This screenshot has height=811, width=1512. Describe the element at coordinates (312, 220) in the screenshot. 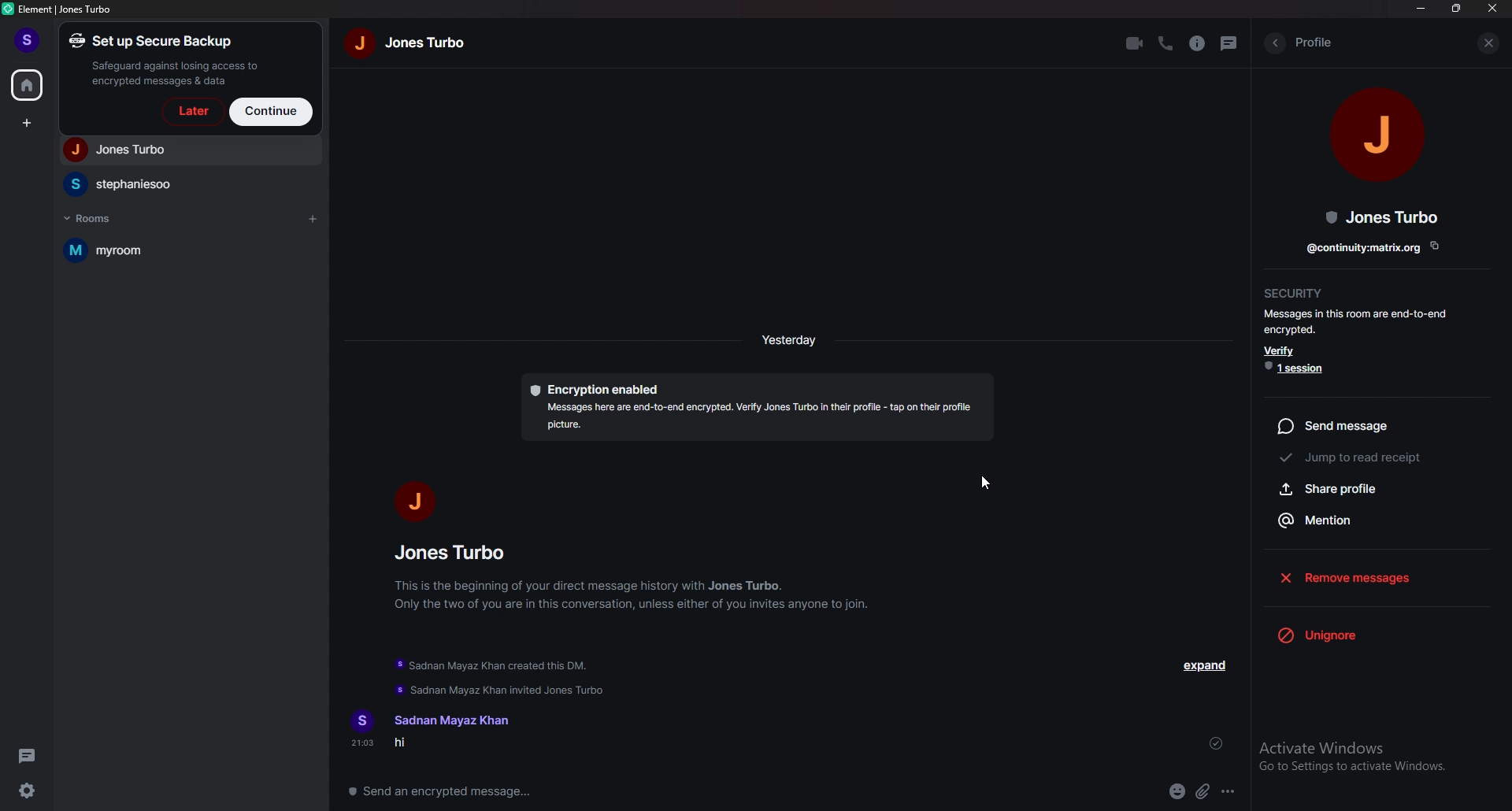

I see `add room` at that location.